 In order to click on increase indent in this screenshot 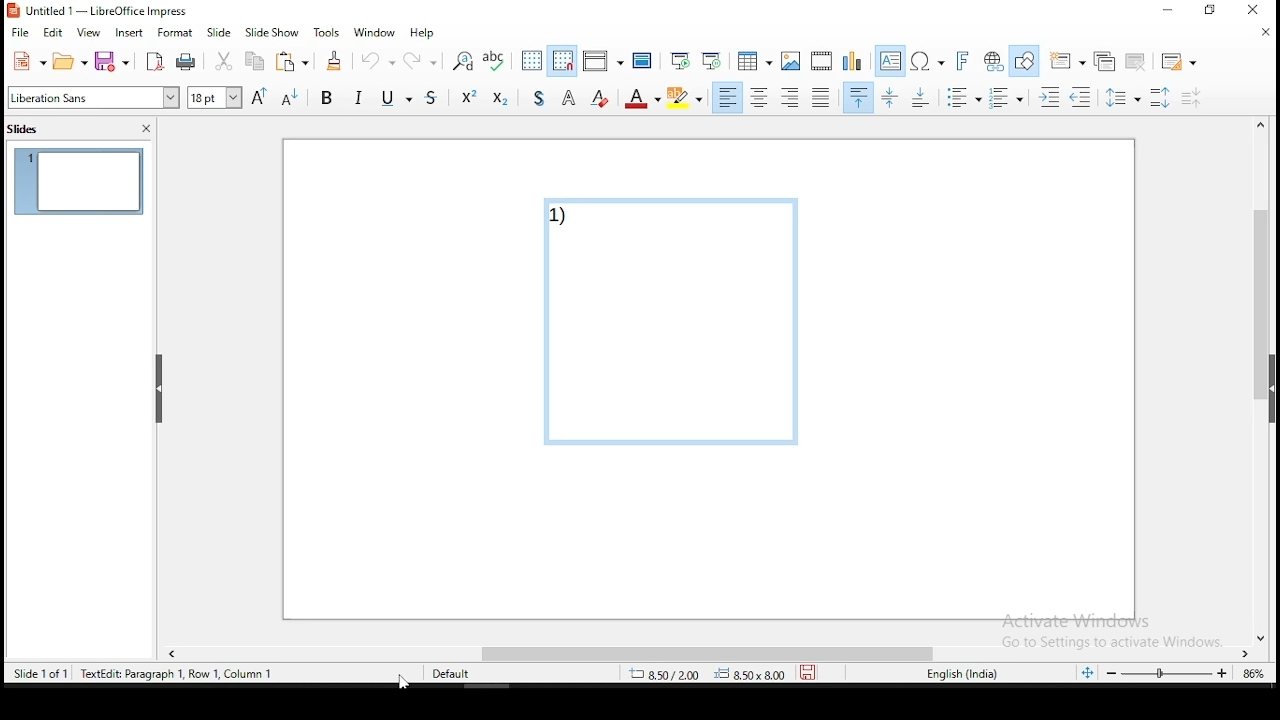, I will do `click(1046, 97)`.